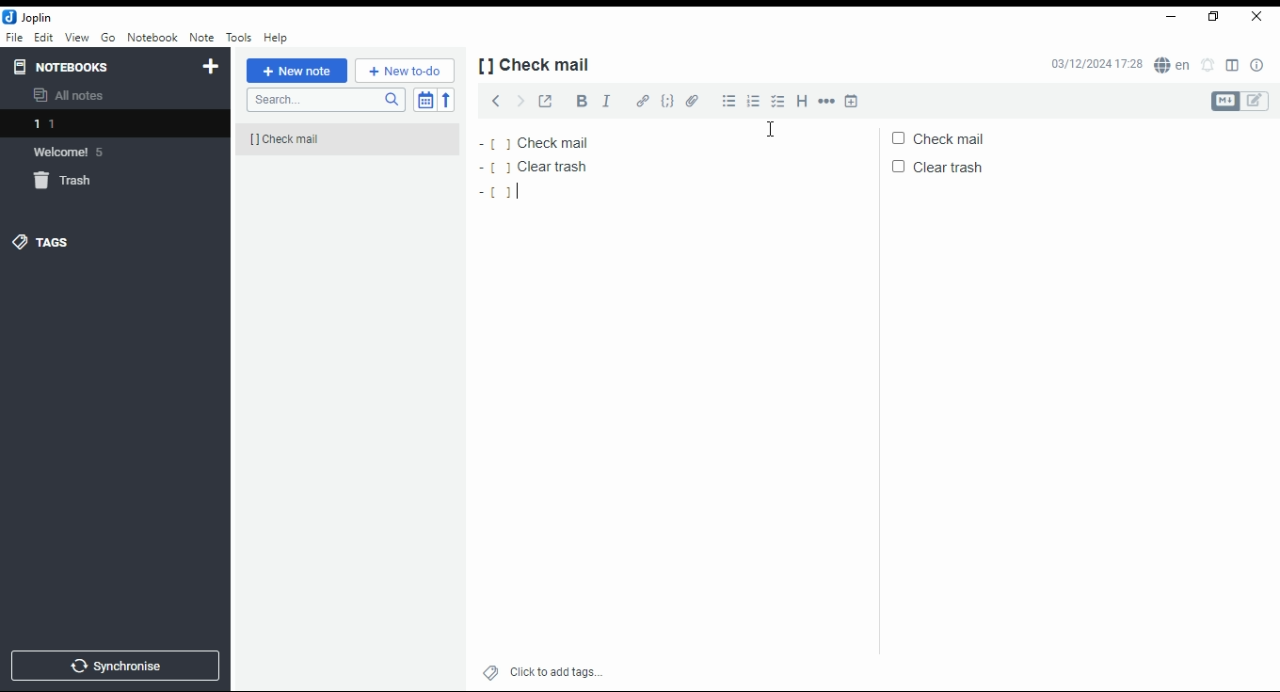 The image size is (1280, 692). What do you see at coordinates (64, 180) in the screenshot?
I see `trash` at bounding box center [64, 180].